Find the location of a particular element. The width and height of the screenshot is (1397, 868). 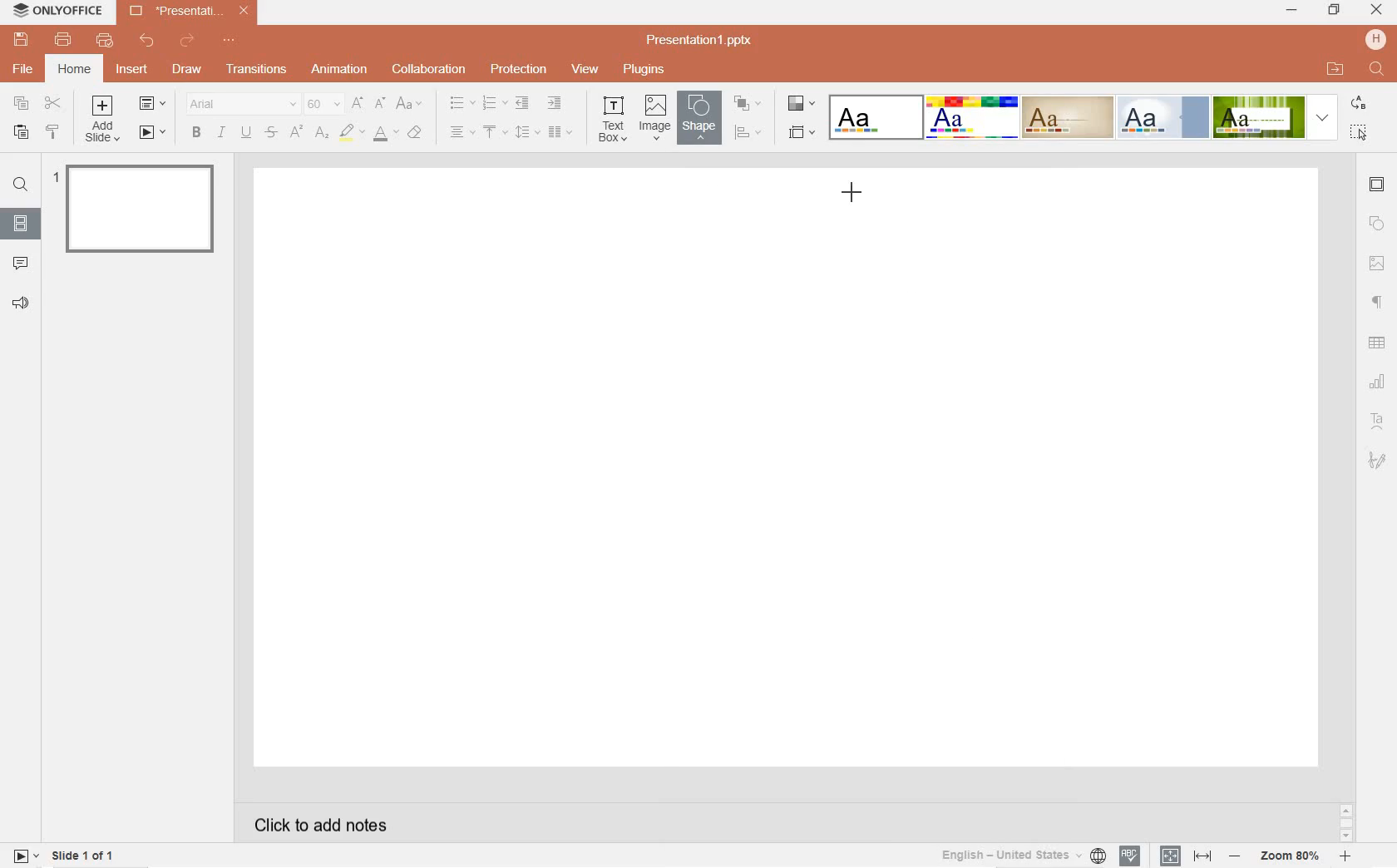

shape settings is located at coordinates (1377, 224).